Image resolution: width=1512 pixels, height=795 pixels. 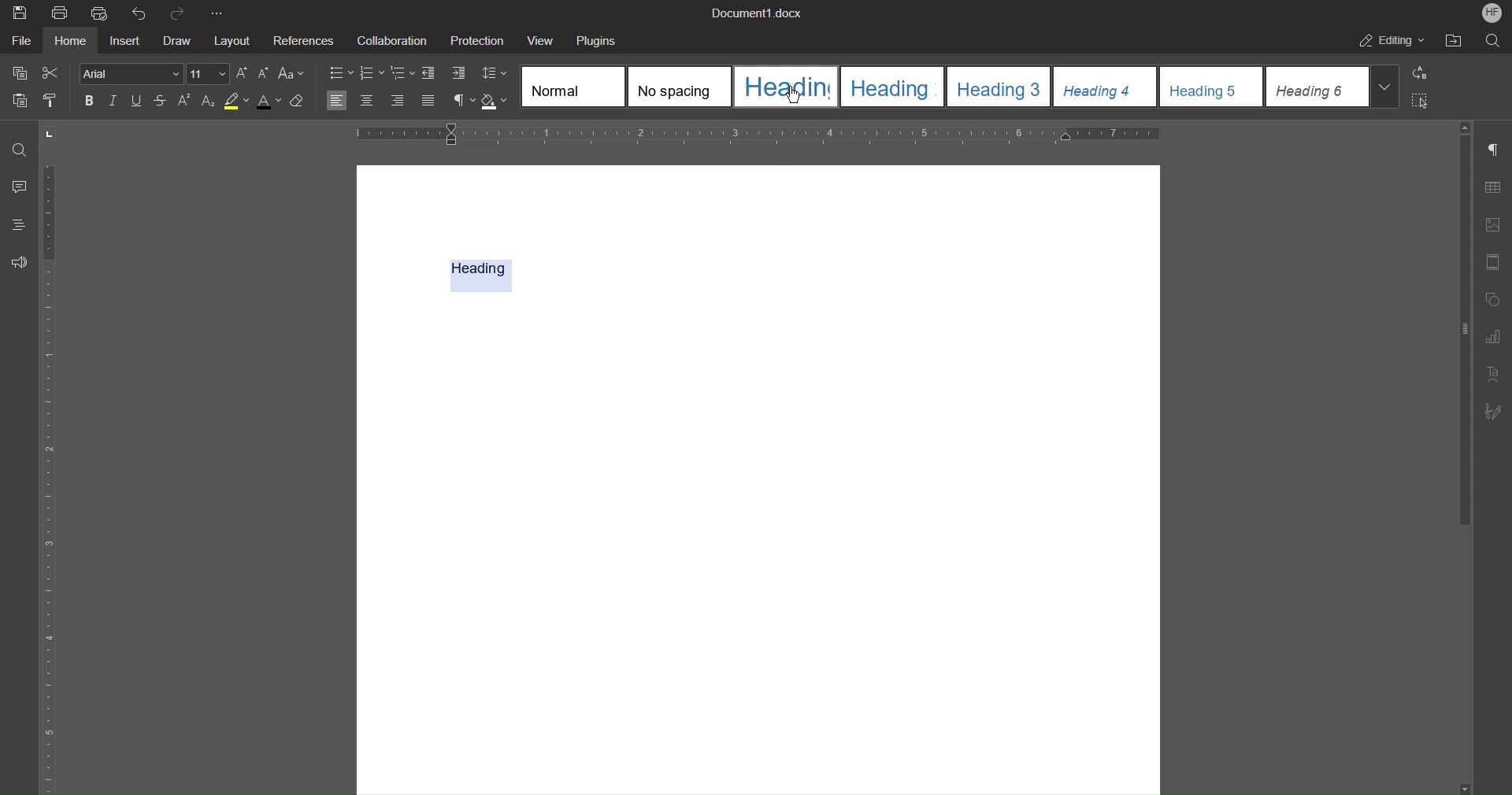 I want to click on Centre Align, so click(x=369, y=101).